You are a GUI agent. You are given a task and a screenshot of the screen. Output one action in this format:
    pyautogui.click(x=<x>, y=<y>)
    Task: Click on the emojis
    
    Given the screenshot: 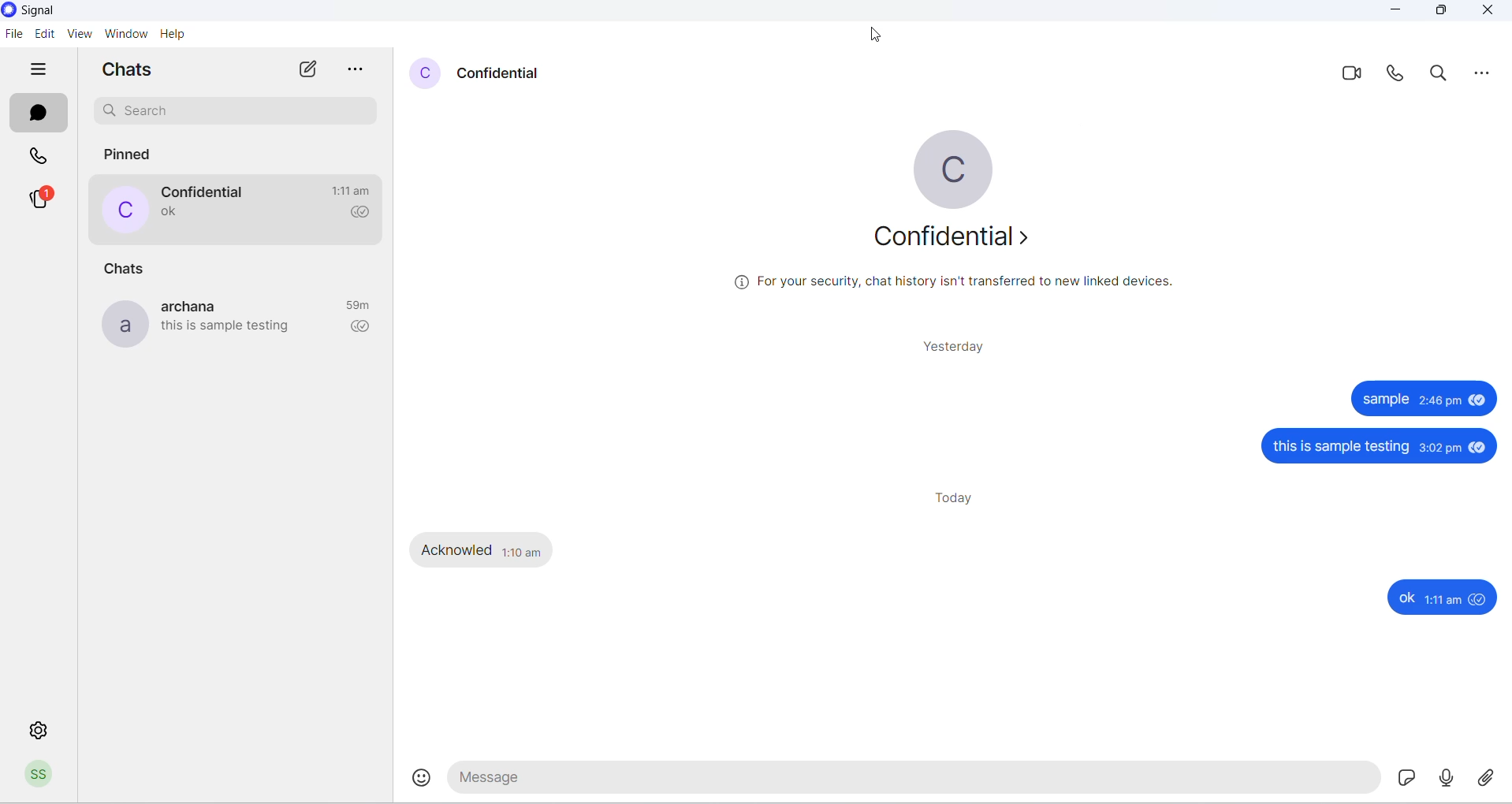 What is the action you would take?
    pyautogui.click(x=425, y=779)
    